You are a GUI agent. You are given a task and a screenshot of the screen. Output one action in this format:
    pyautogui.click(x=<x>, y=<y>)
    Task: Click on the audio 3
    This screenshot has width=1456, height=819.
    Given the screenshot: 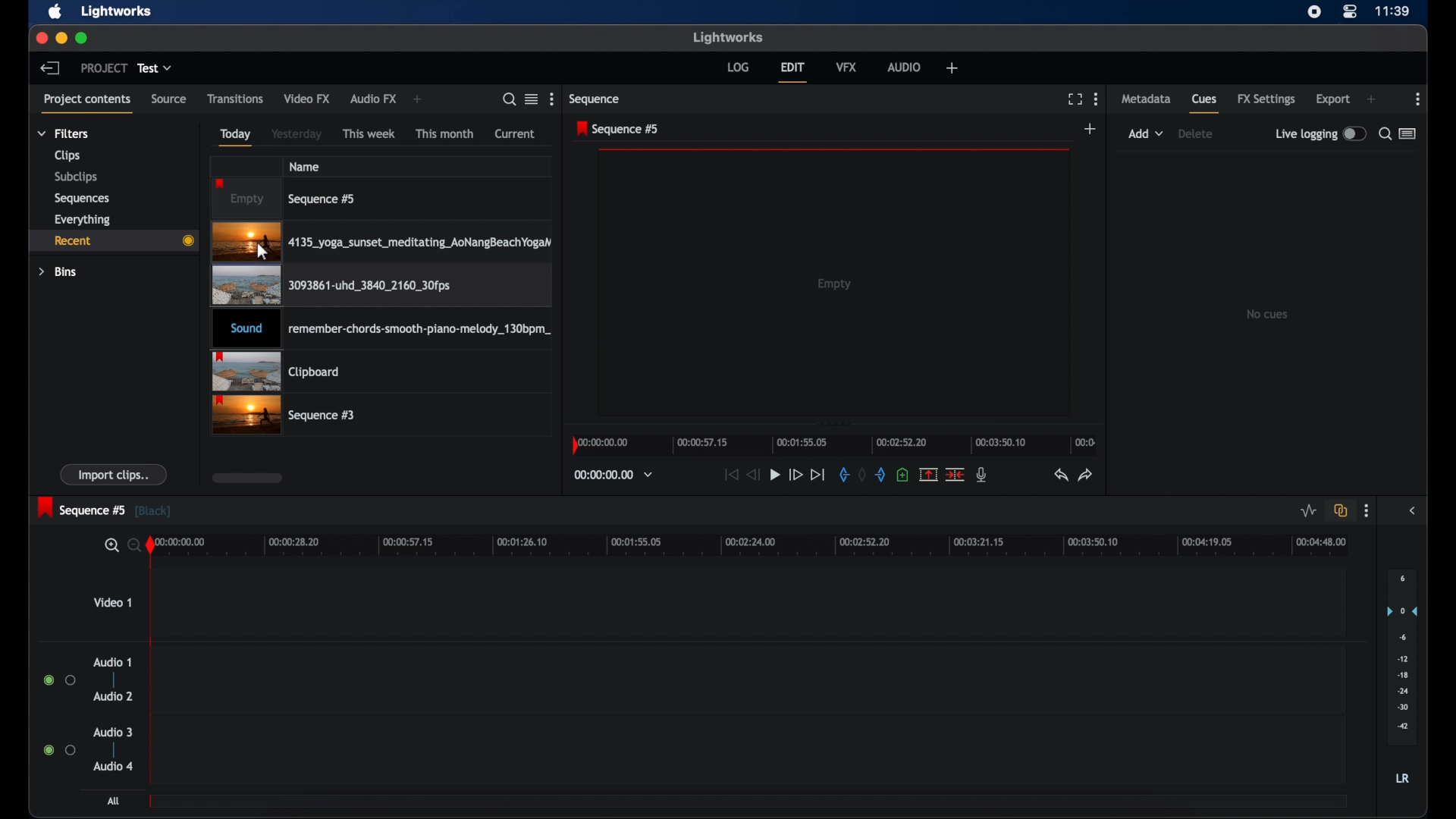 What is the action you would take?
    pyautogui.click(x=114, y=731)
    